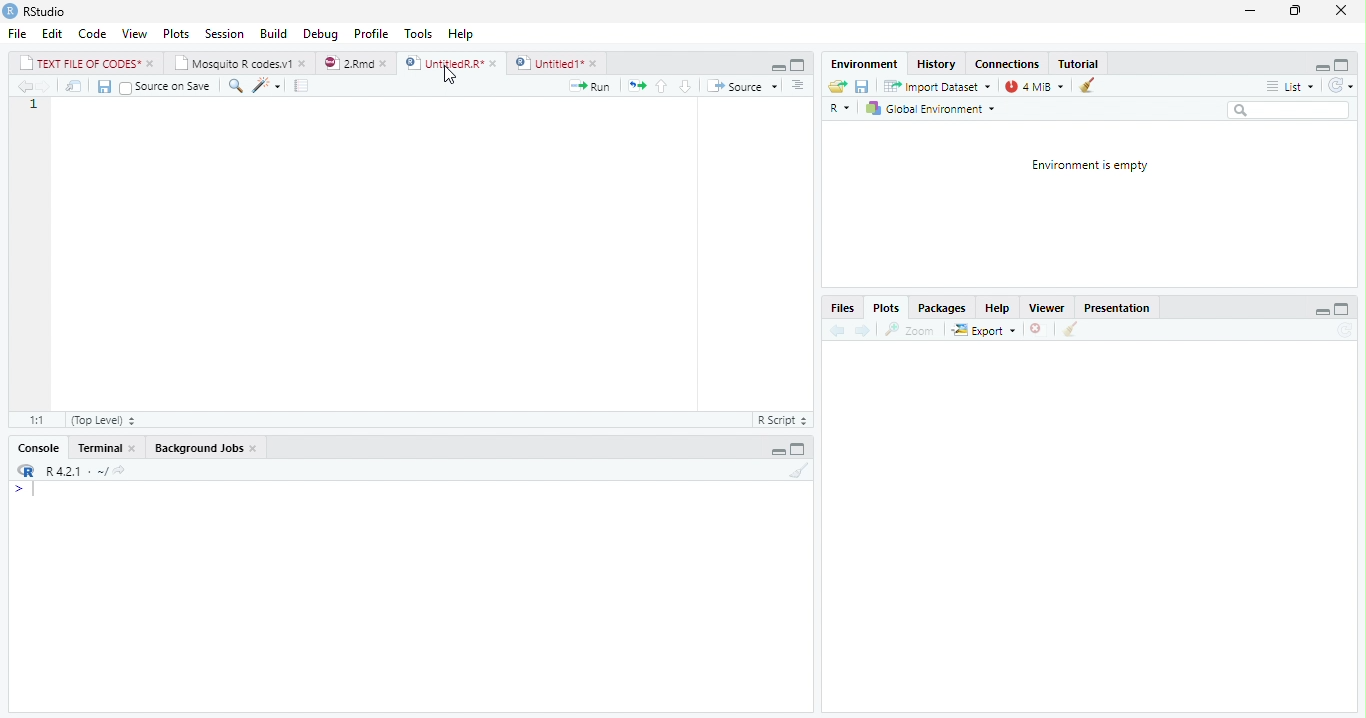 This screenshot has width=1366, height=718. Describe the element at coordinates (1000, 308) in the screenshot. I see `Help` at that location.